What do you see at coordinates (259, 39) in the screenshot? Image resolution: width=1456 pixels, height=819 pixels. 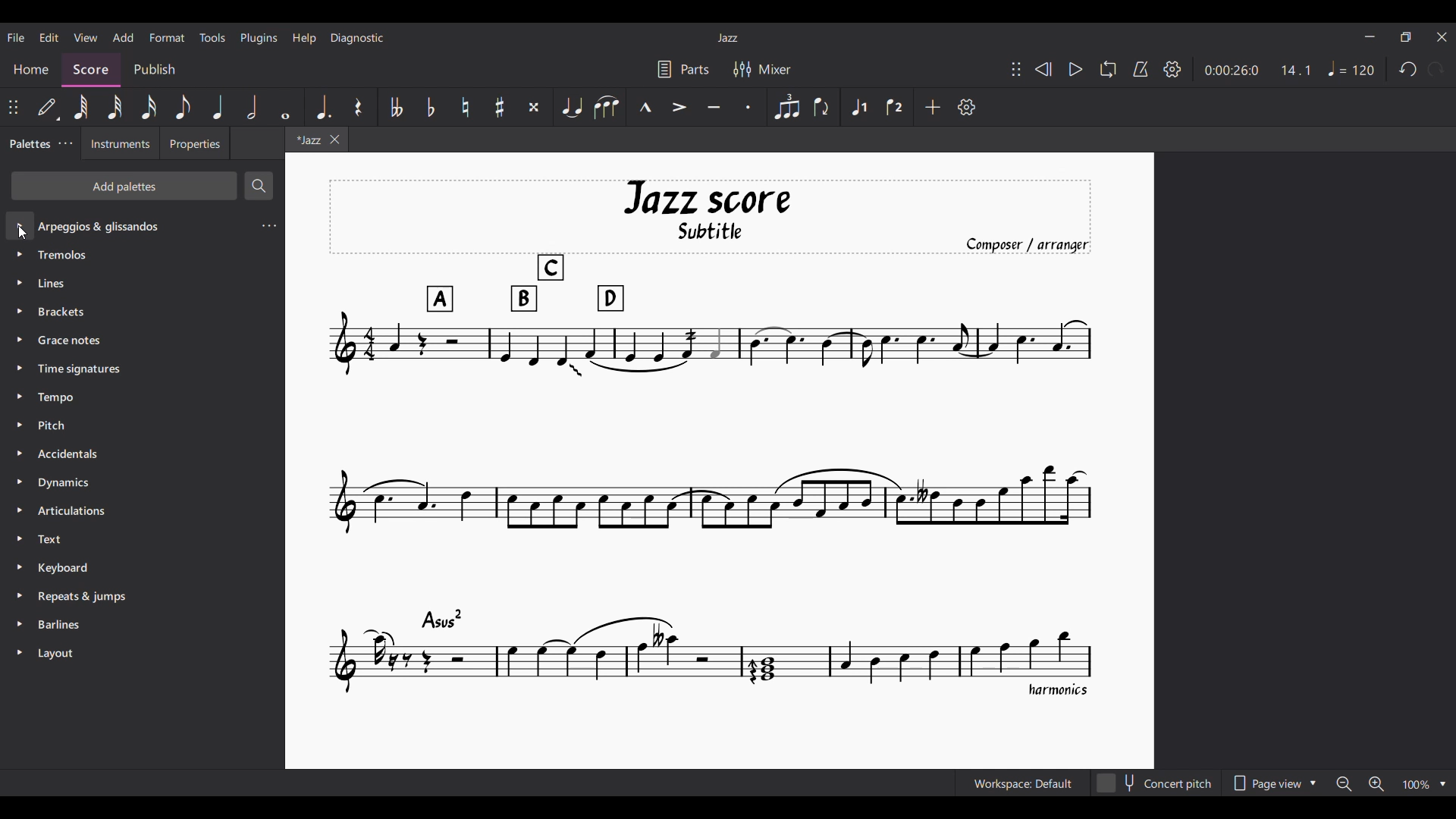 I see `Plugins menu` at bounding box center [259, 39].